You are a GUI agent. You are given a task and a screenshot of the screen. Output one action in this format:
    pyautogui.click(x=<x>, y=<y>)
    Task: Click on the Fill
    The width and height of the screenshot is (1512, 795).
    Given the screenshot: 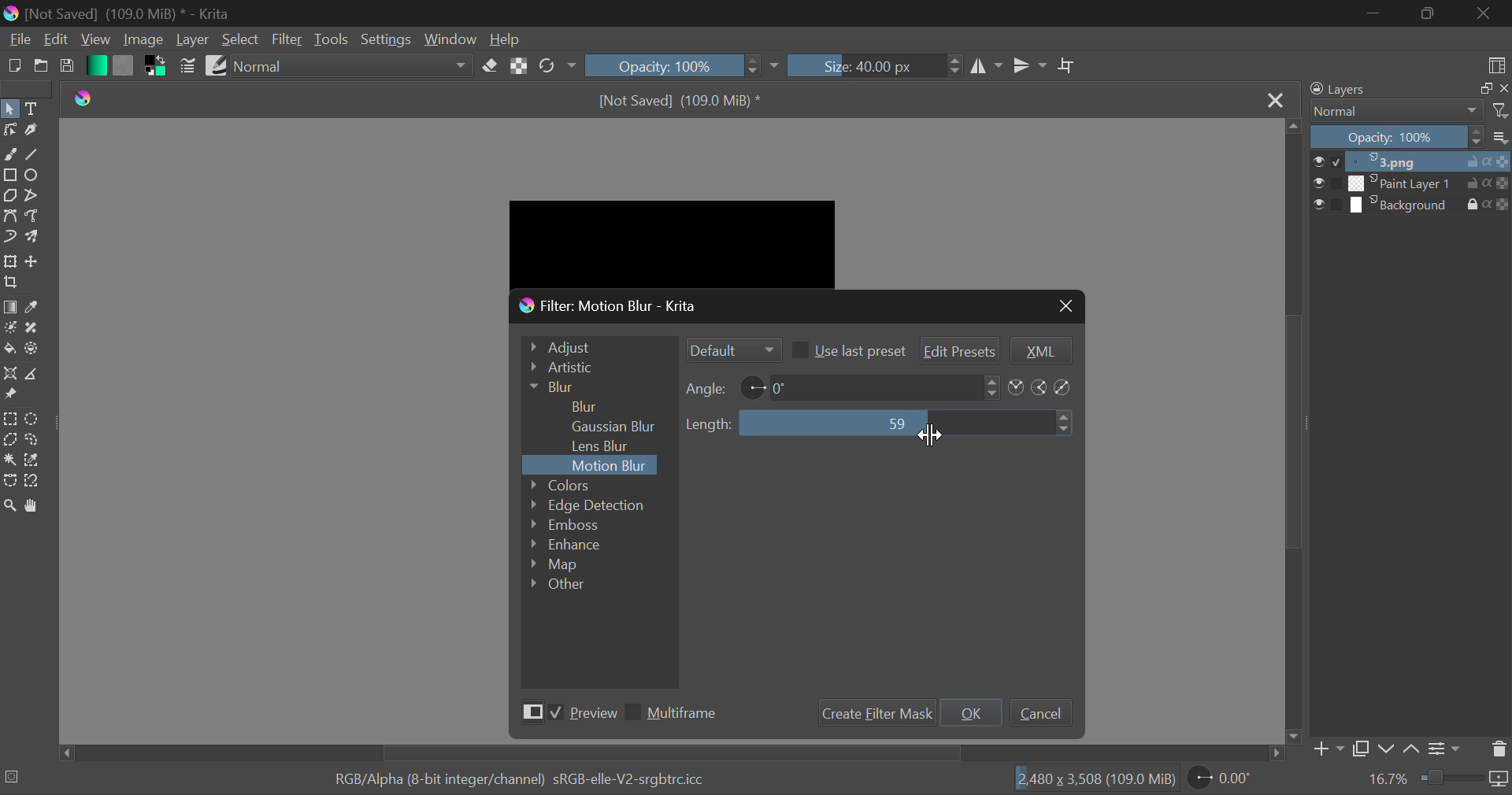 What is the action you would take?
    pyautogui.click(x=9, y=348)
    